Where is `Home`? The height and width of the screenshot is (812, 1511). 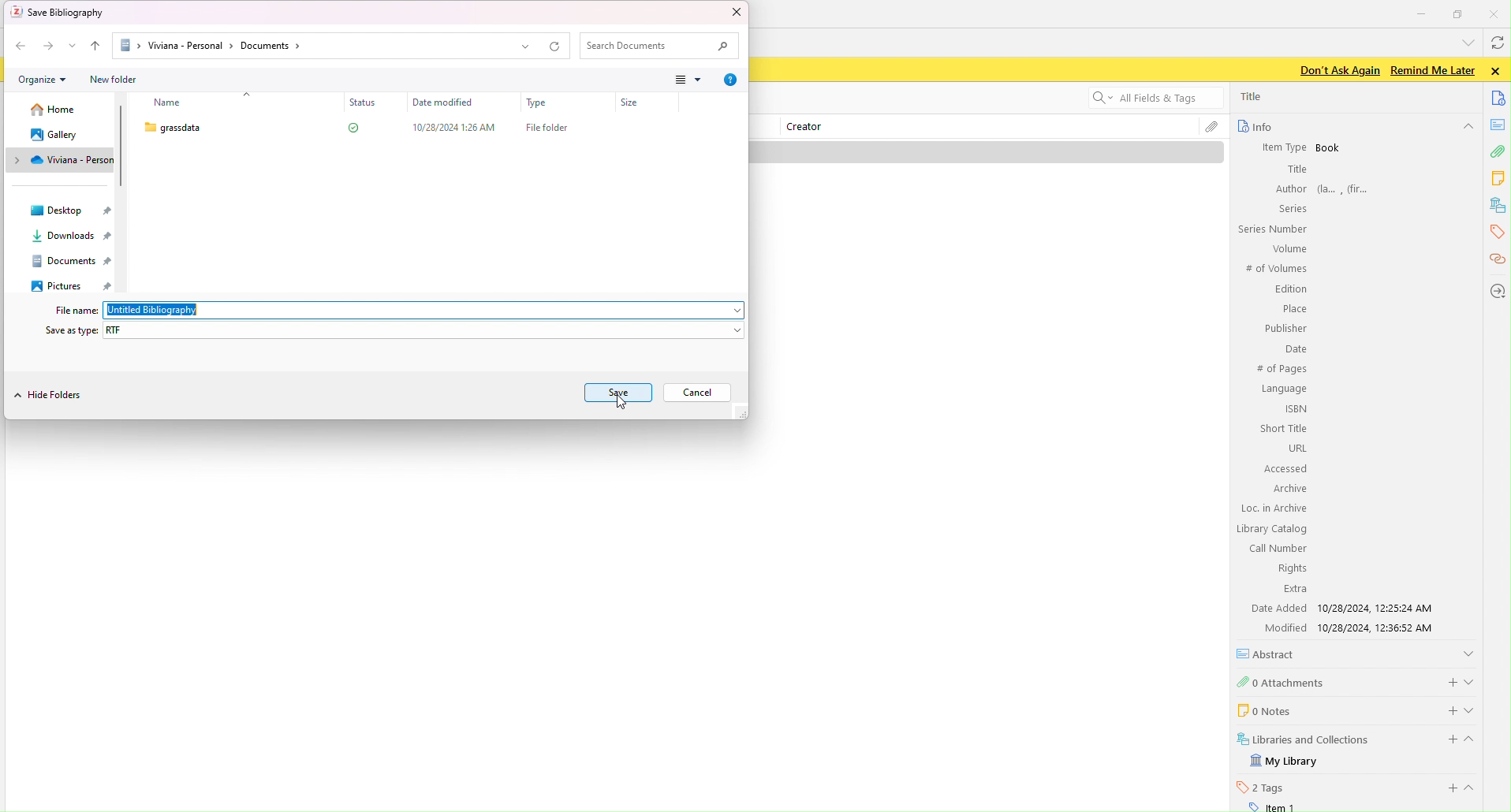 Home is located at coordinates (58, 113).